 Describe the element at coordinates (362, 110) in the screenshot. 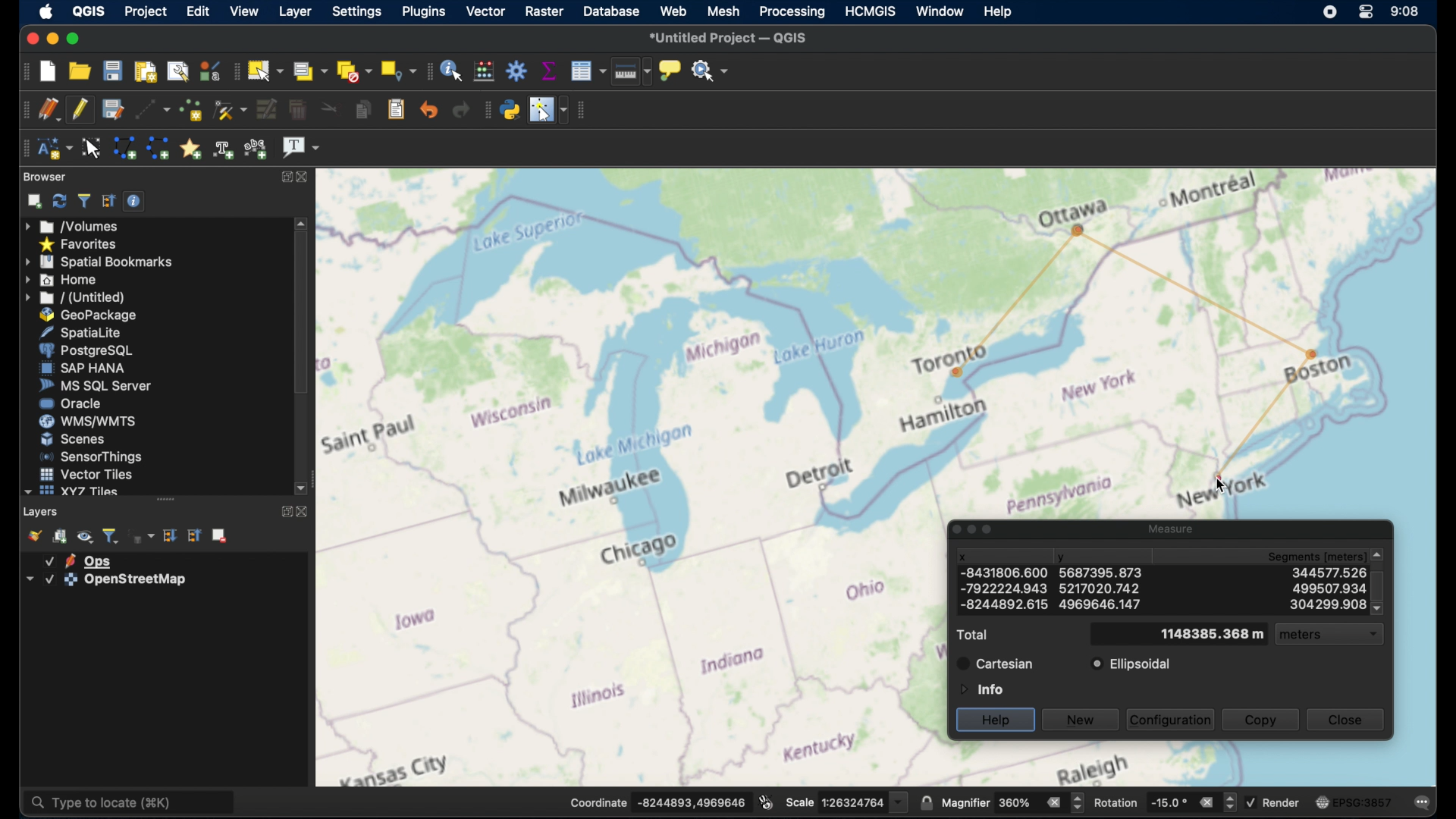

I see `copy features` at that location.